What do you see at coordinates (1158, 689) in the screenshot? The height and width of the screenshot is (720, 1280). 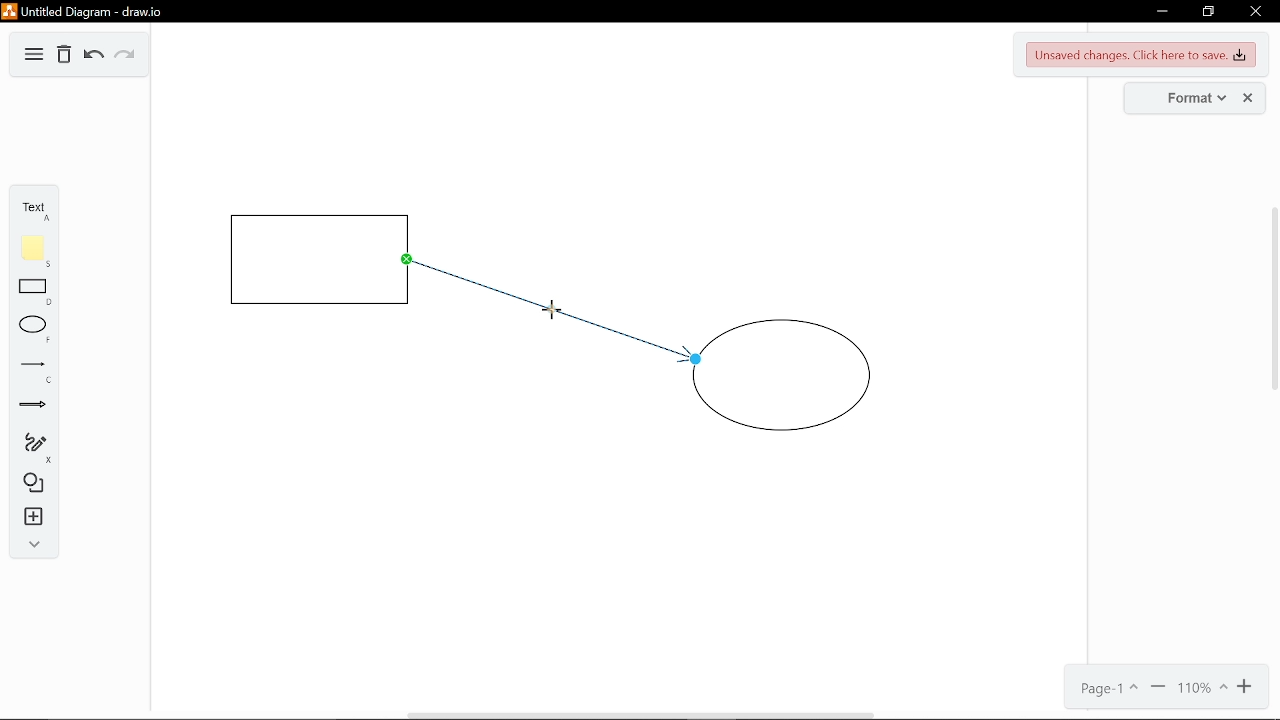 I see `Zoom out` at bounding box center [1158, 689].